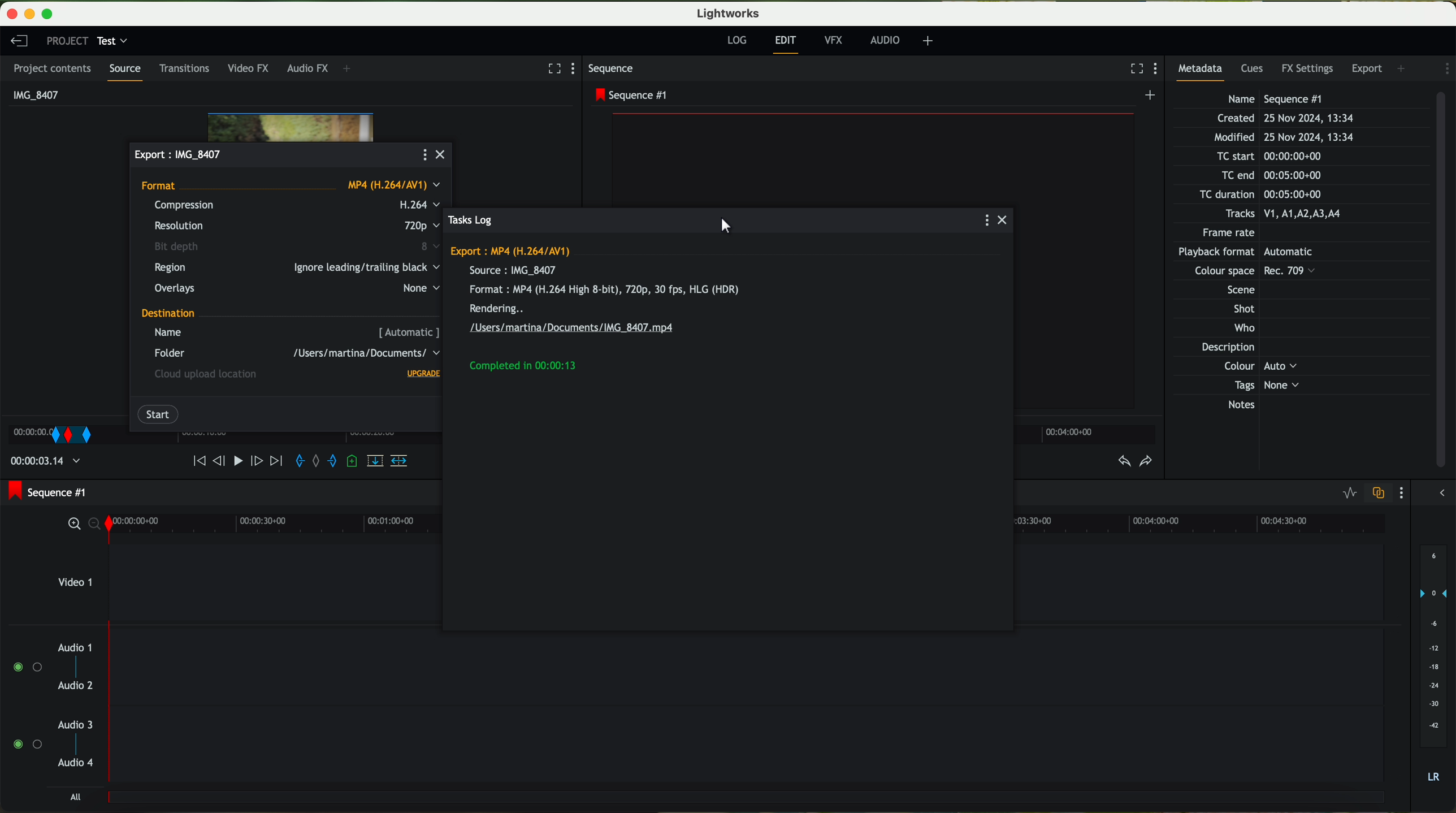 Image resolution: width=1456 pixels, height=813 pixels. I want to click on destination, so click(169, 314).